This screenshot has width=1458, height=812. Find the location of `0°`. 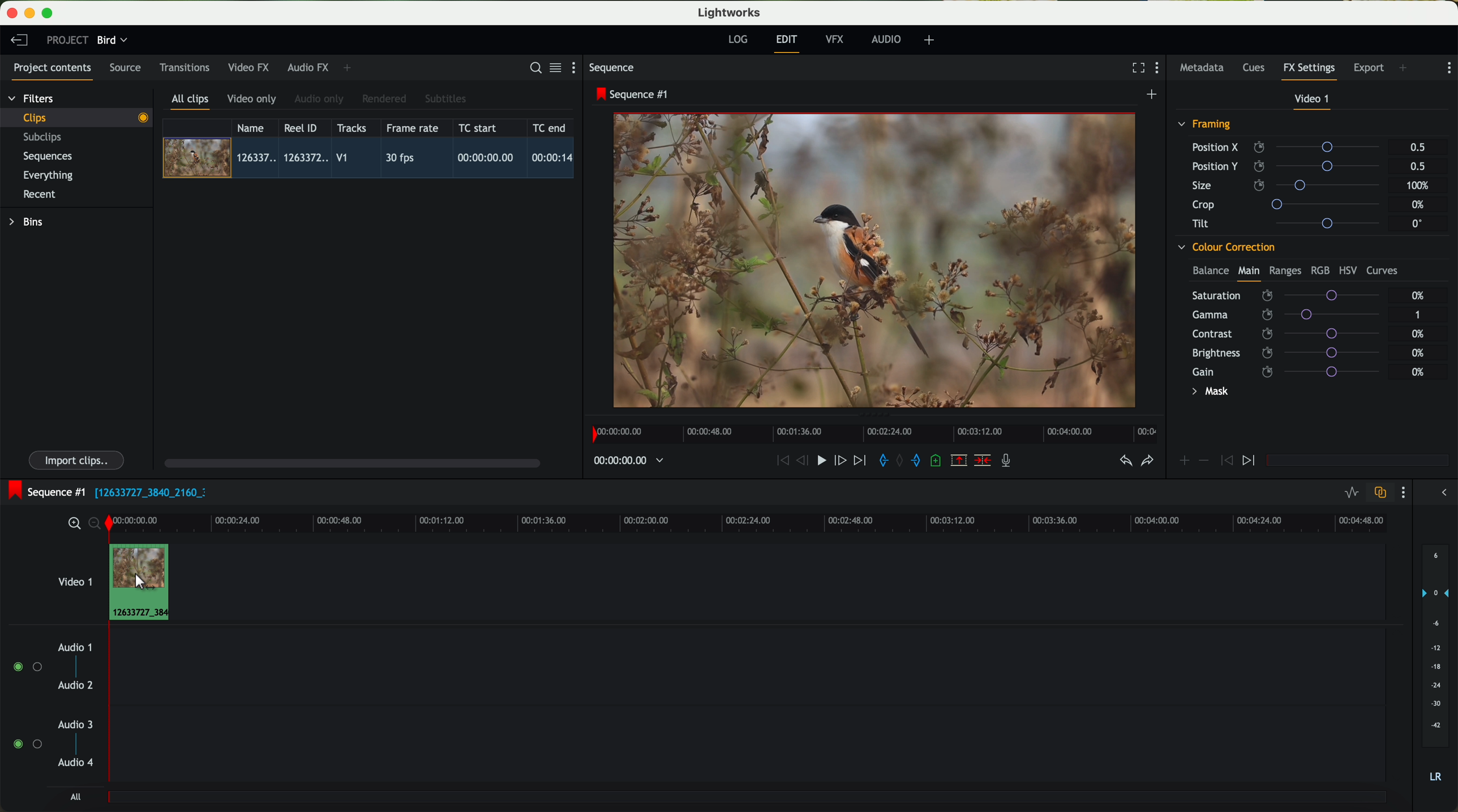

0° is located at coordinates (1418, 223).